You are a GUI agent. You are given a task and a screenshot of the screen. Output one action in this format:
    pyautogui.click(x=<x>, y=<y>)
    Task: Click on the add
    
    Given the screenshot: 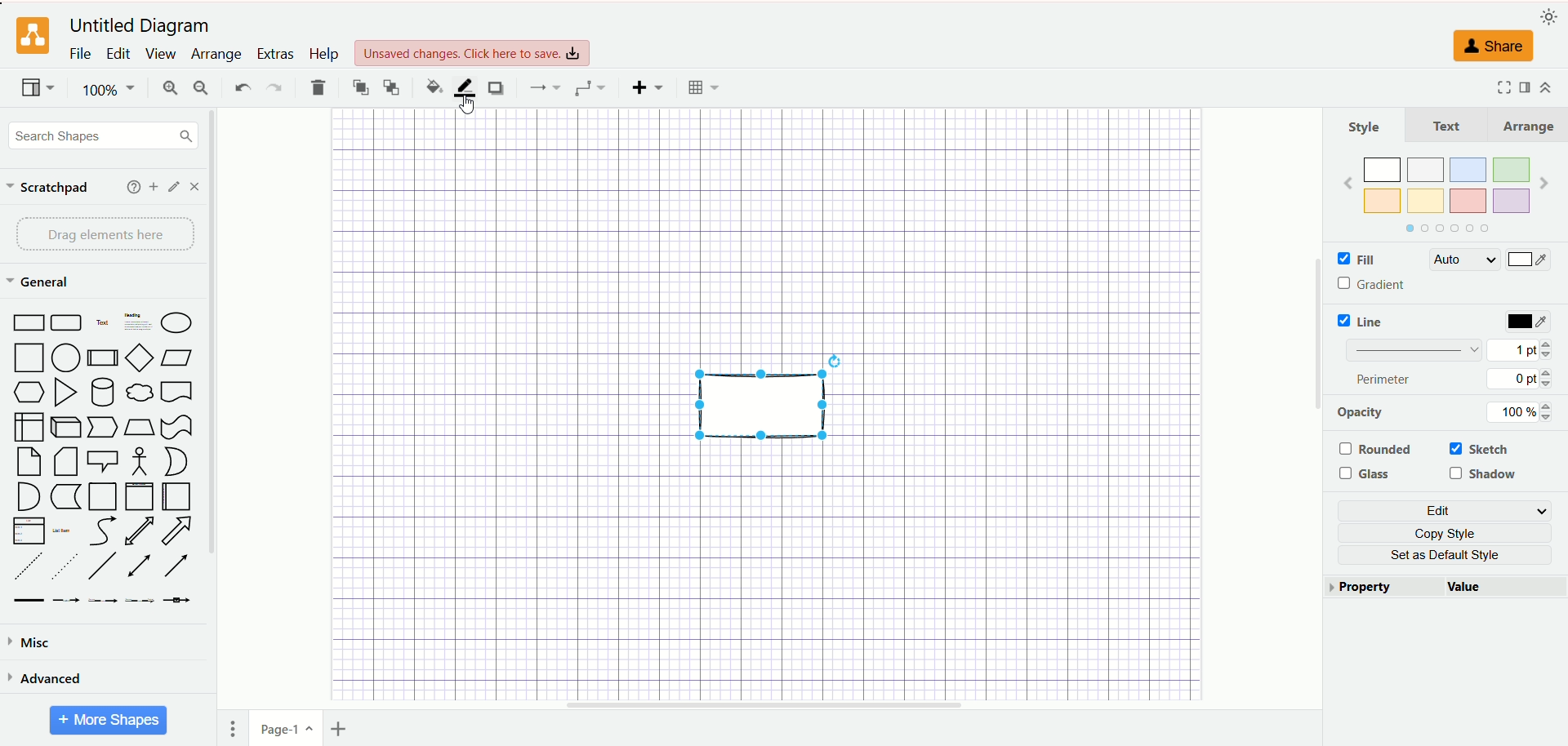 What is the action you would take?
    pyautogui.click(x=151, y=185)
    